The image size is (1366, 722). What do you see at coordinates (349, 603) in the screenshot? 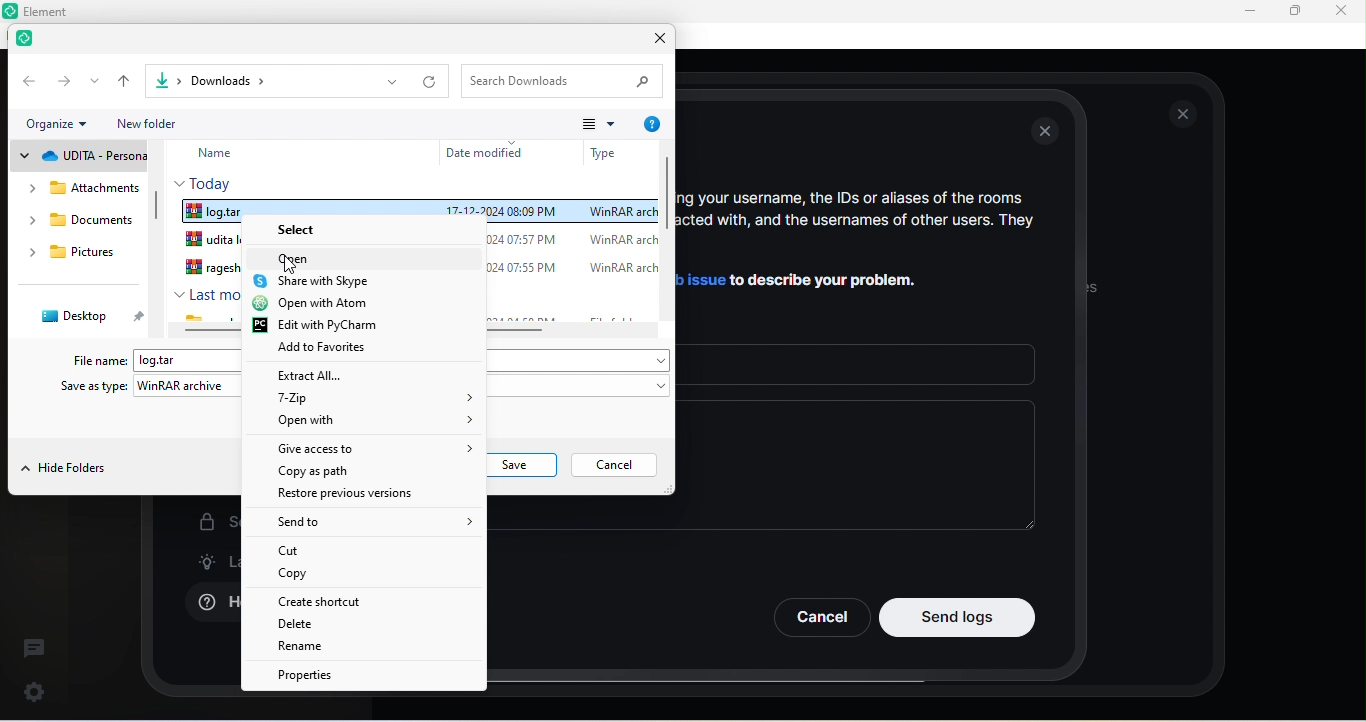
I see `create shortcut` at bounding box center [349, 603].